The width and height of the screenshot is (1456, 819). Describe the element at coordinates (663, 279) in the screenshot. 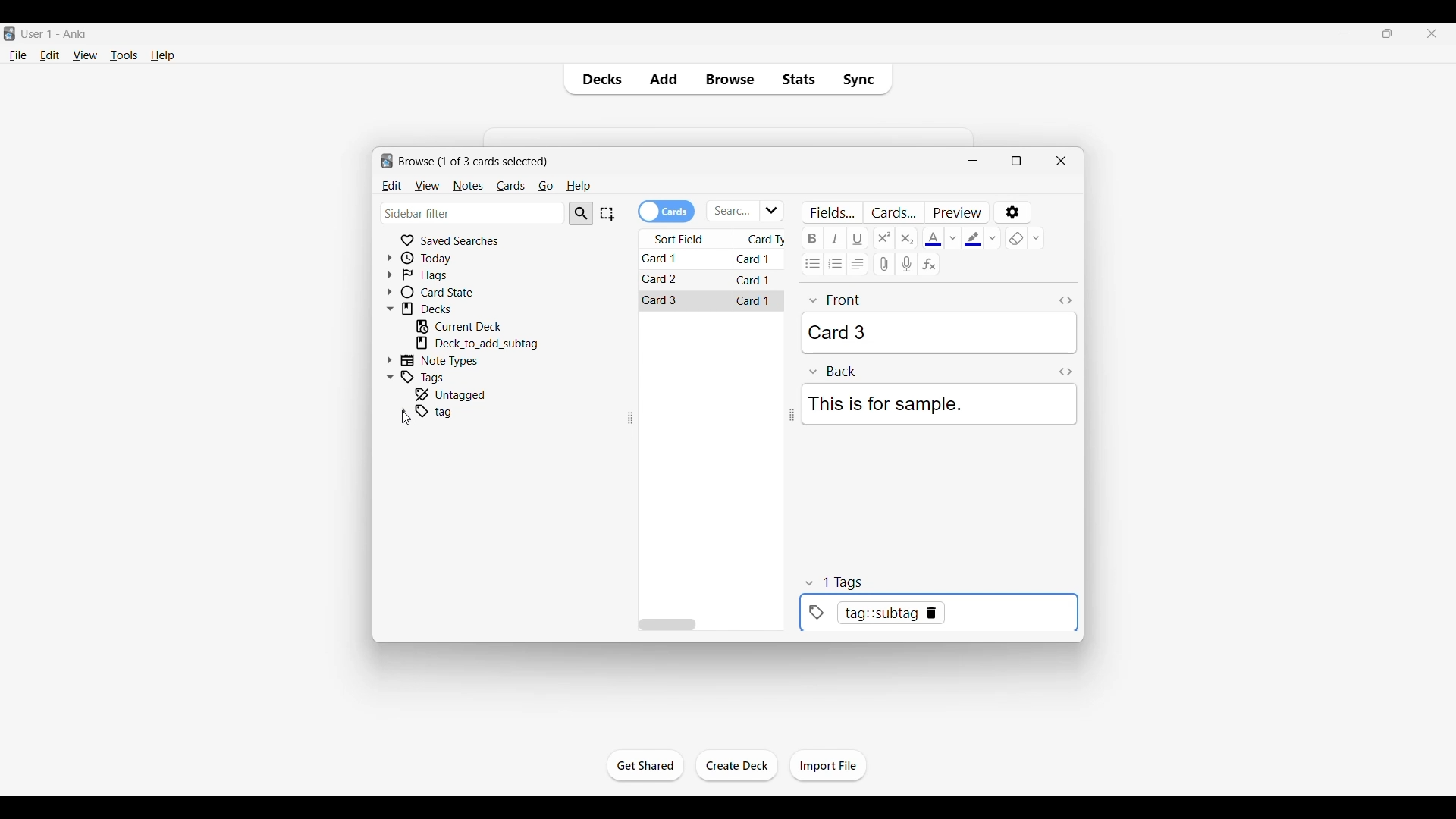

I see `Card 2` at that location.